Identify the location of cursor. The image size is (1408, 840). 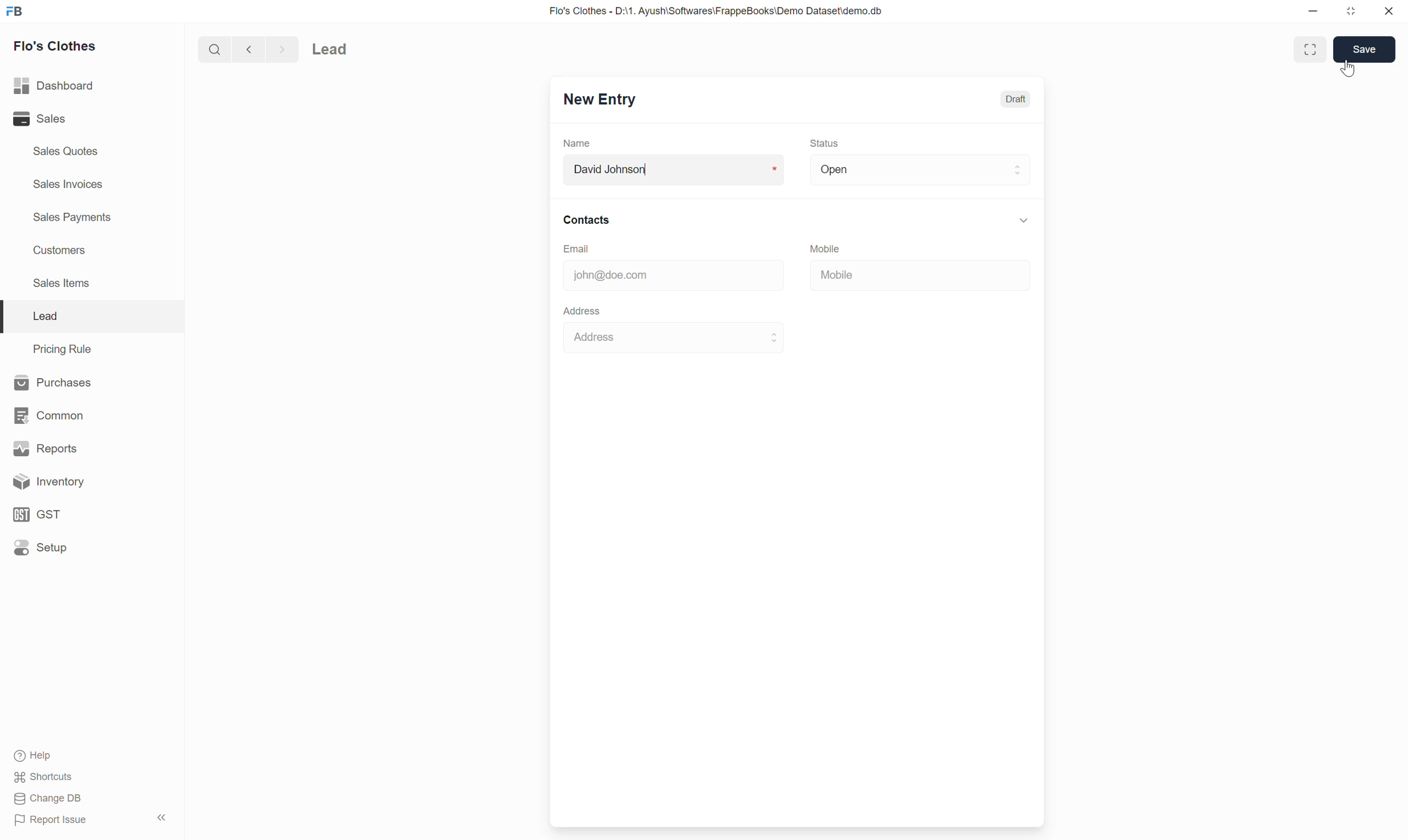
(1351, 72).